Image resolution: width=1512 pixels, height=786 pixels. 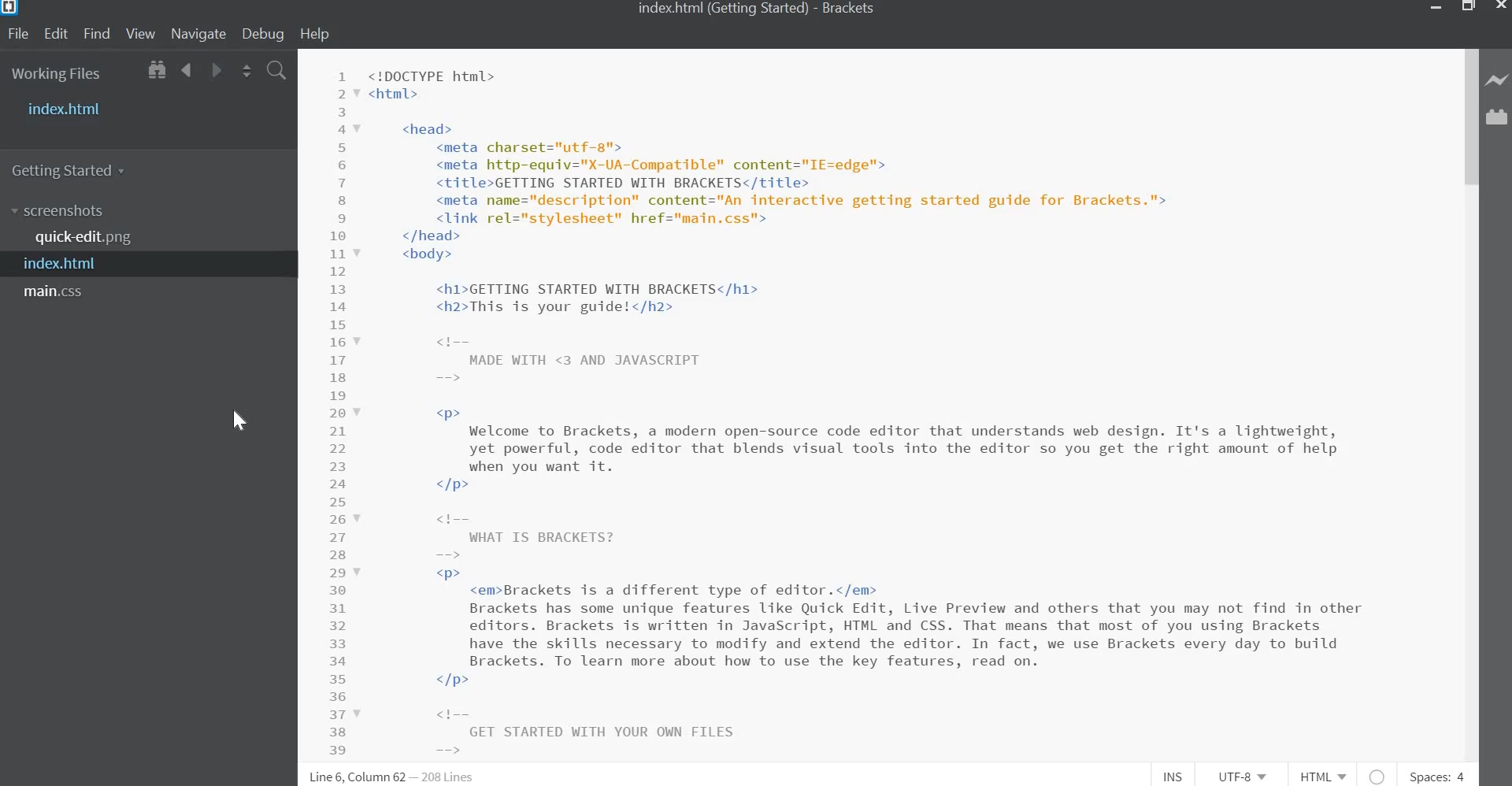 What do you see at coordinates (74, 109) in the screenshot?
I see `` at bounding box center [74, 109].